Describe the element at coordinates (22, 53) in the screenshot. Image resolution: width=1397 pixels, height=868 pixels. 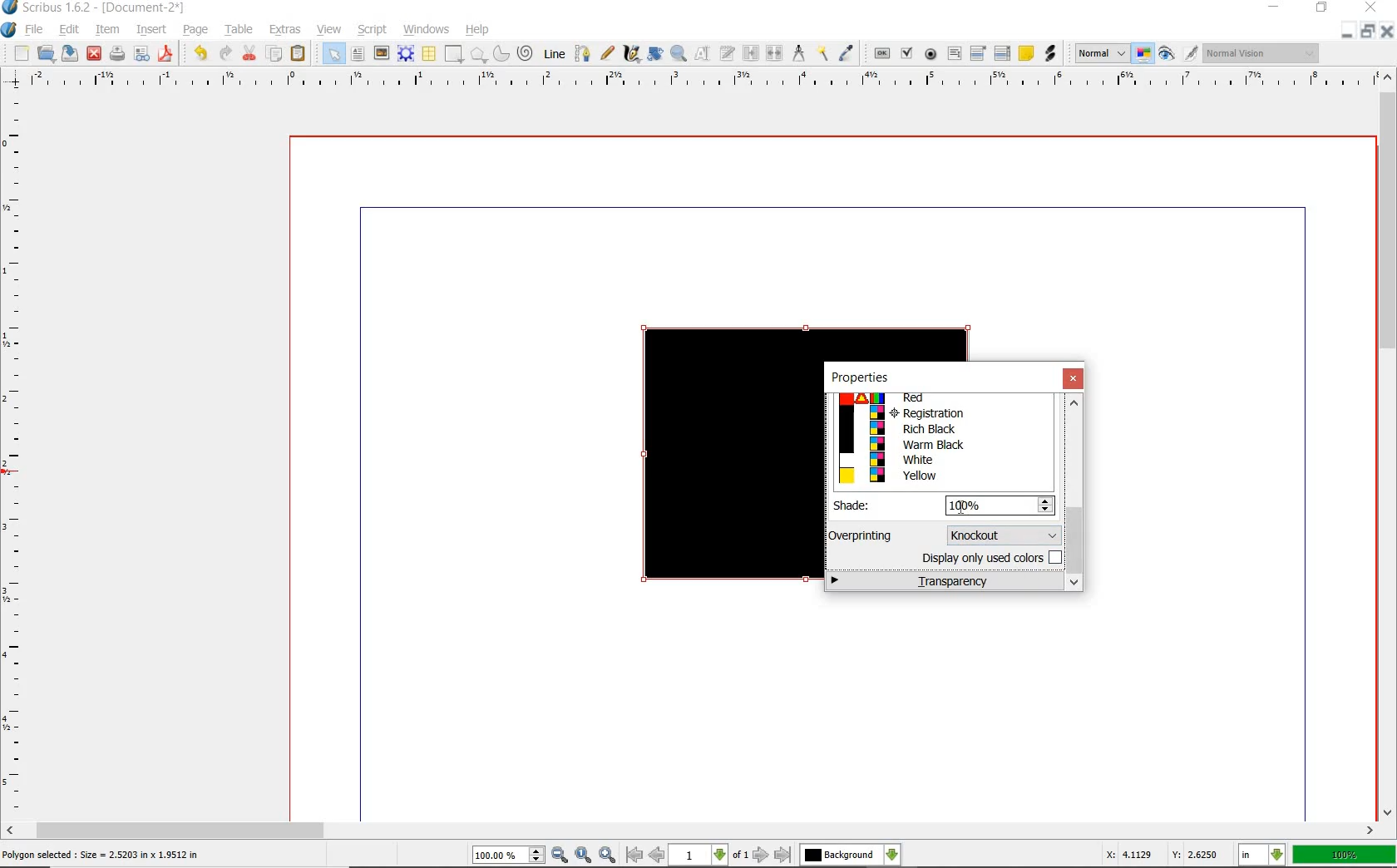
I see `new` at that location.